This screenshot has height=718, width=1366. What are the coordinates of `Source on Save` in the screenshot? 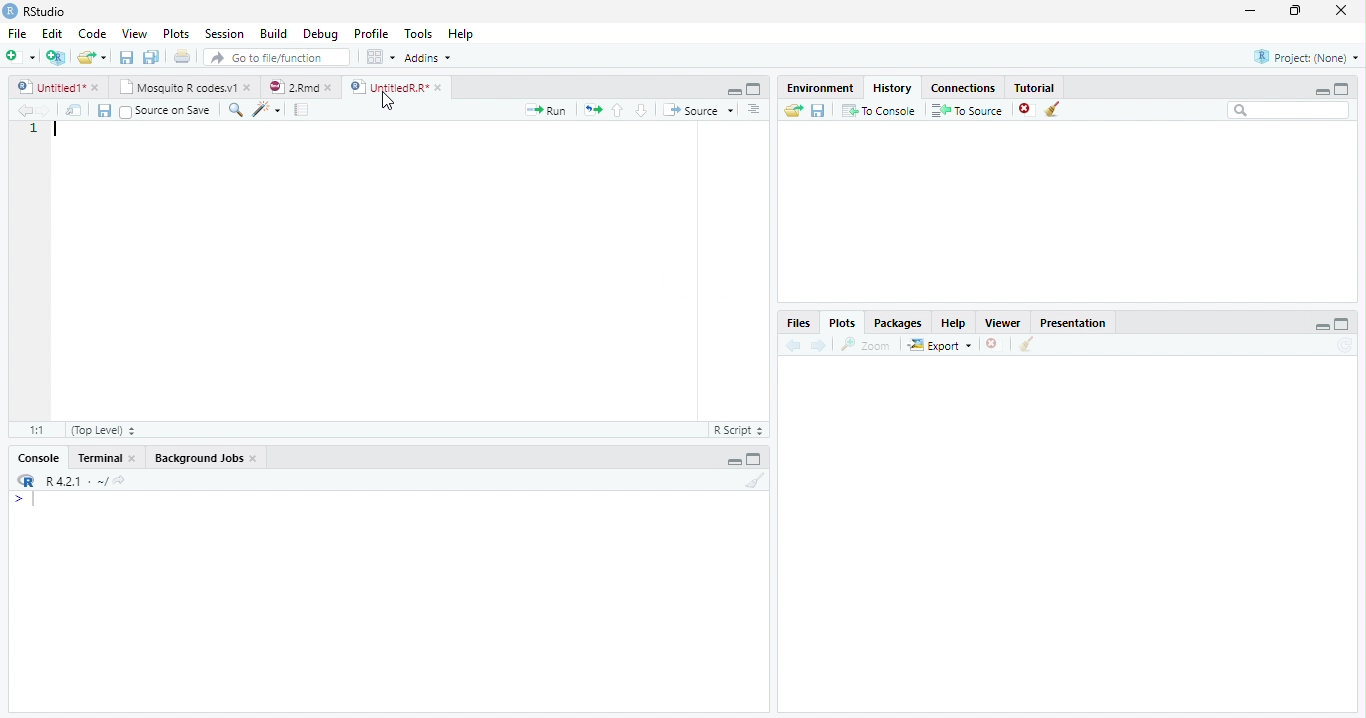 It's located at (167, 111).